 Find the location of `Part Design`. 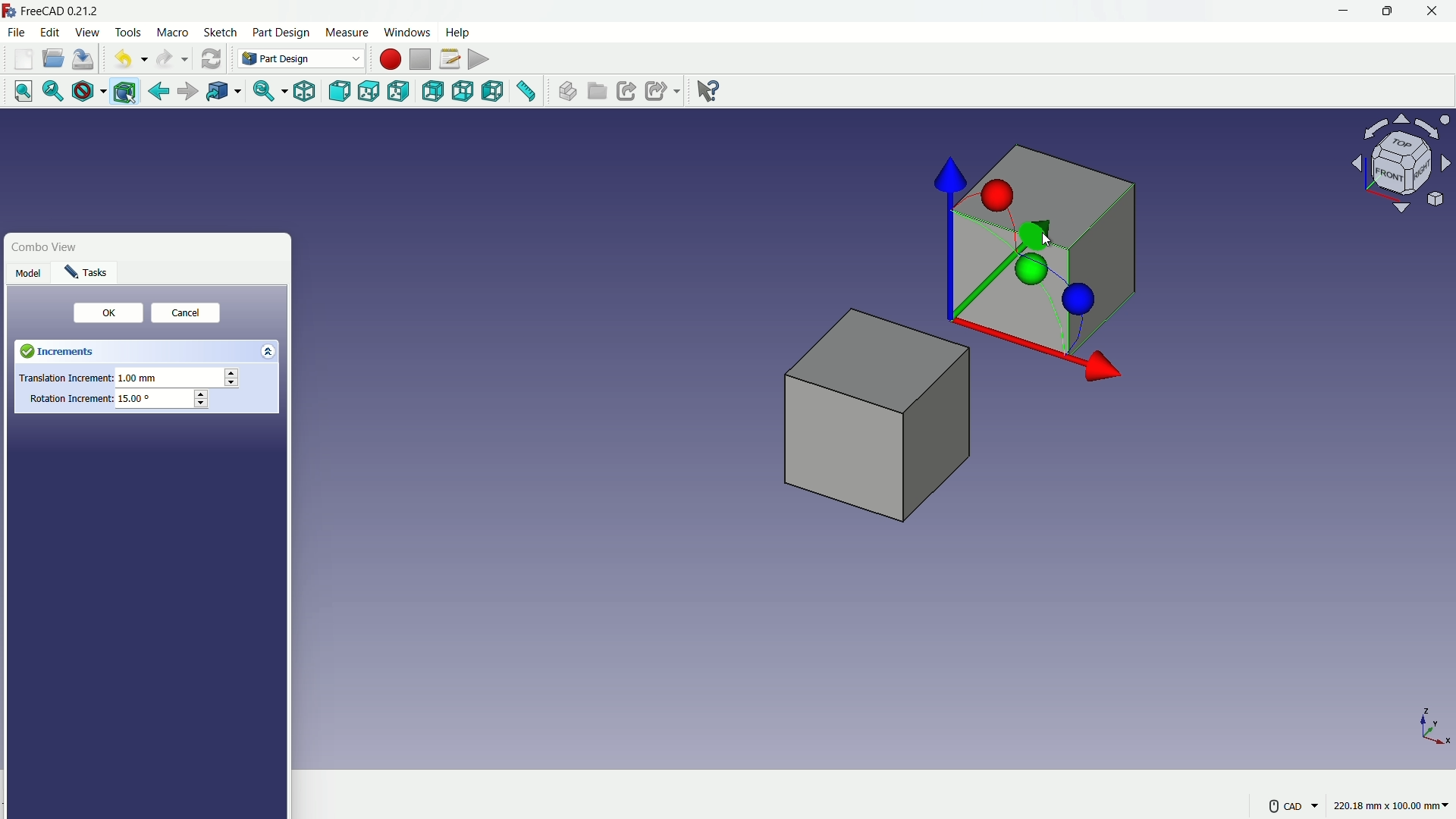

Part Design is located at coordinates (301, 58).